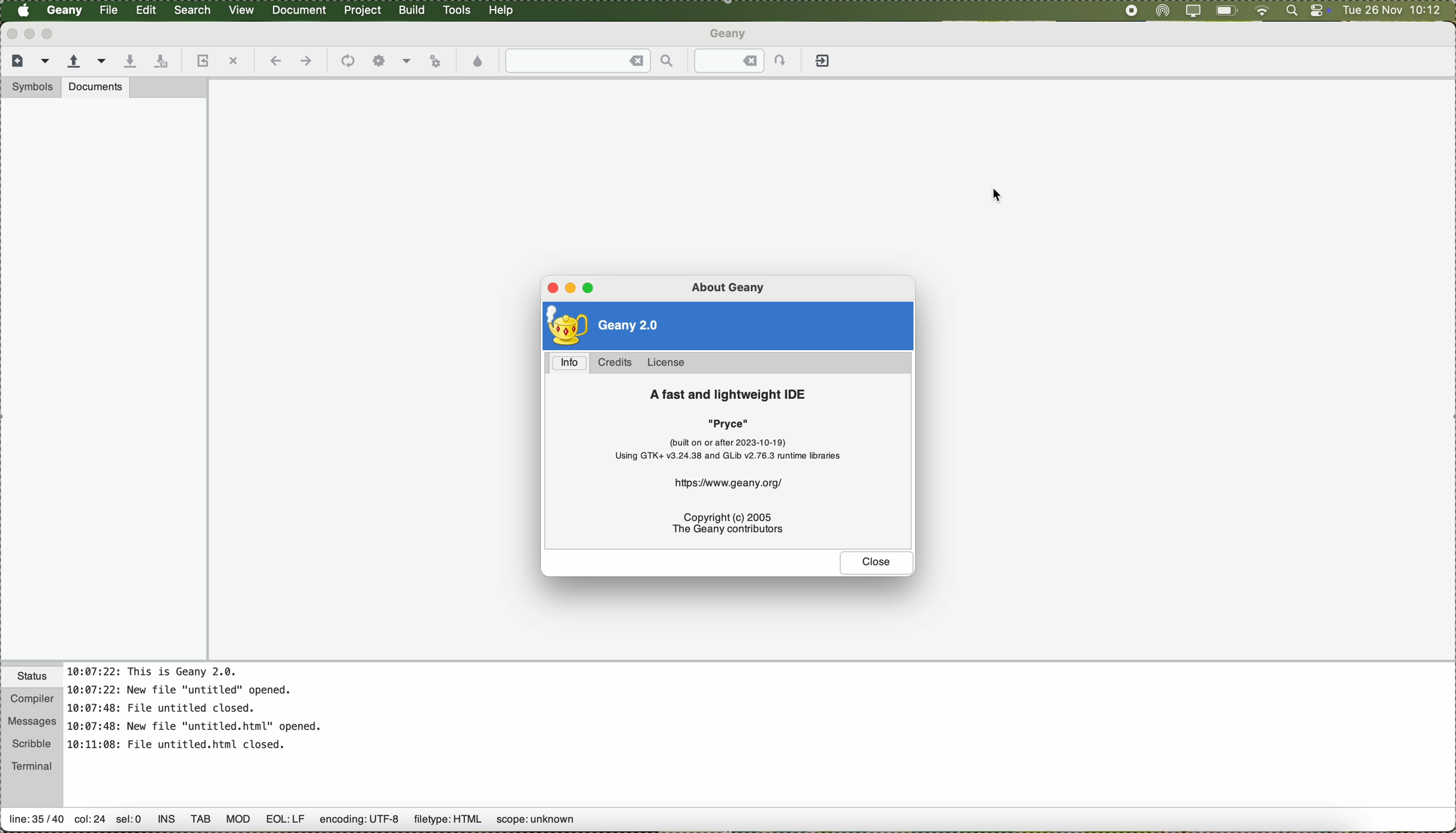 This screenshot has height=833, width=1456. Describe the element at coordinates (166, 821) in the screenshot. I see `INS` at that location.